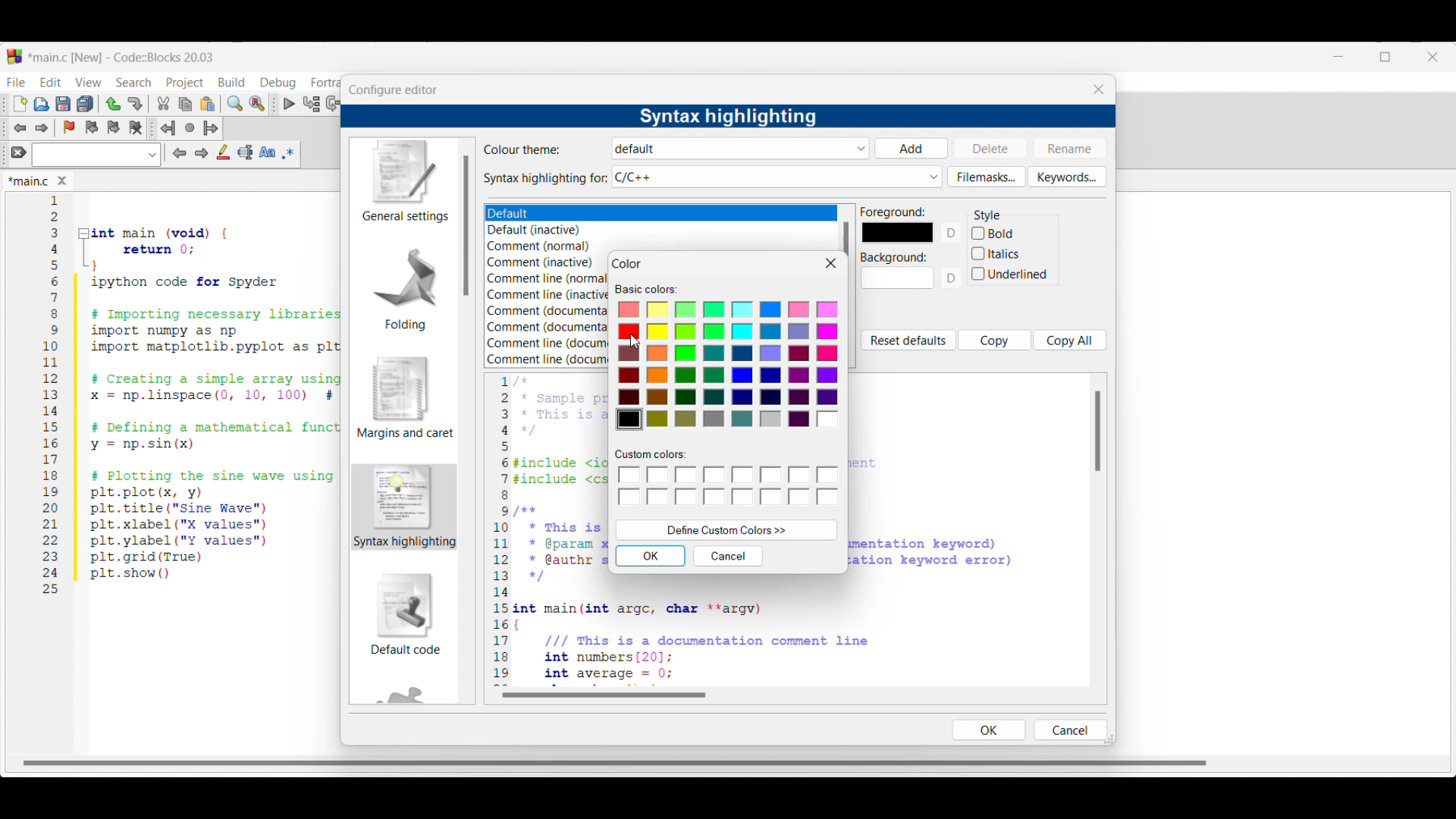  Describe the element at coordinates (893, 258) in the screenshot. I see `Indicates background color options` at that location.